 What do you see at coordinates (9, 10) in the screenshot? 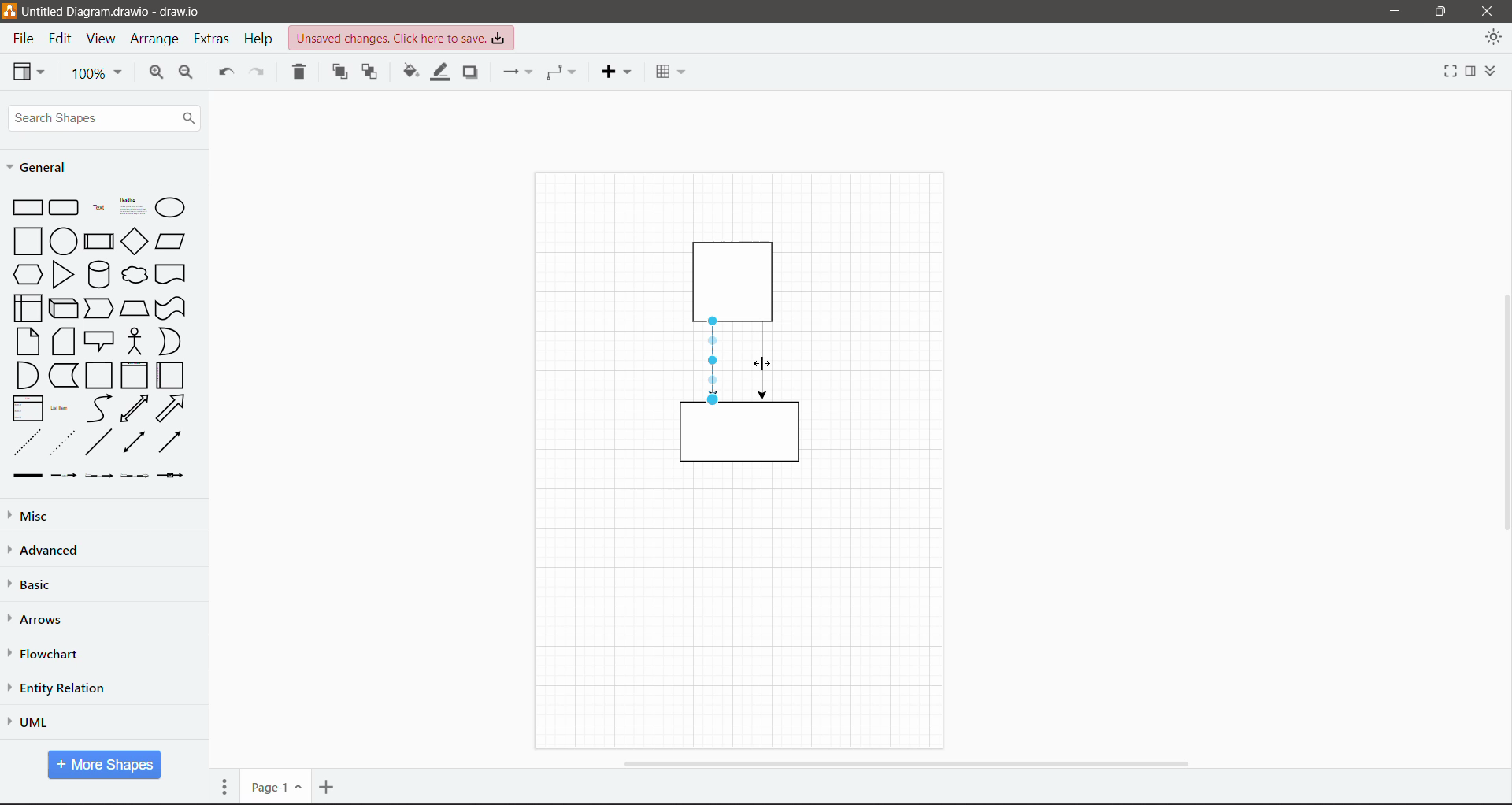
I see `draw.io logo` at bounding box center [9, 10].